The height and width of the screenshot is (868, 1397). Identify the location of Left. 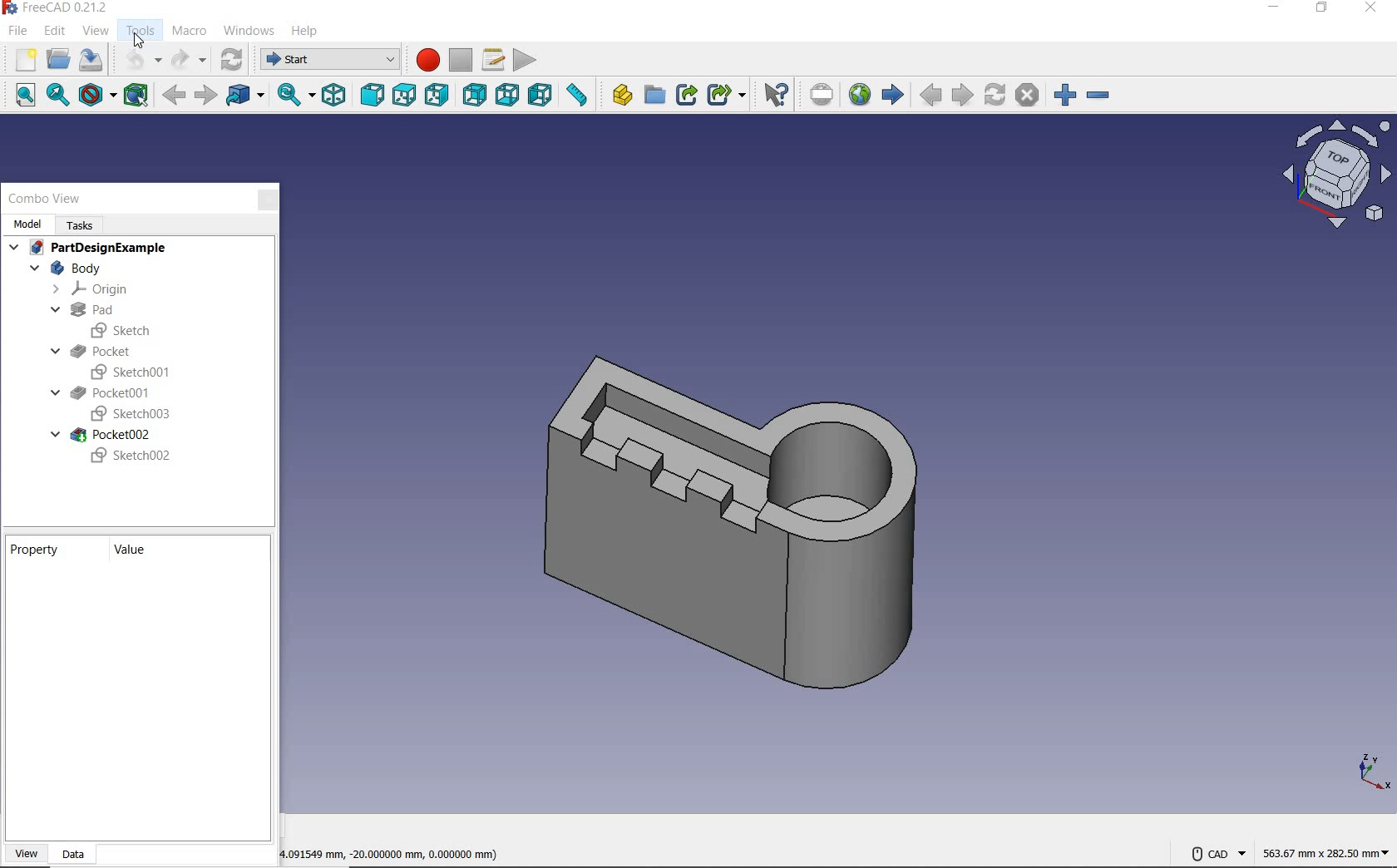
(539, 96).